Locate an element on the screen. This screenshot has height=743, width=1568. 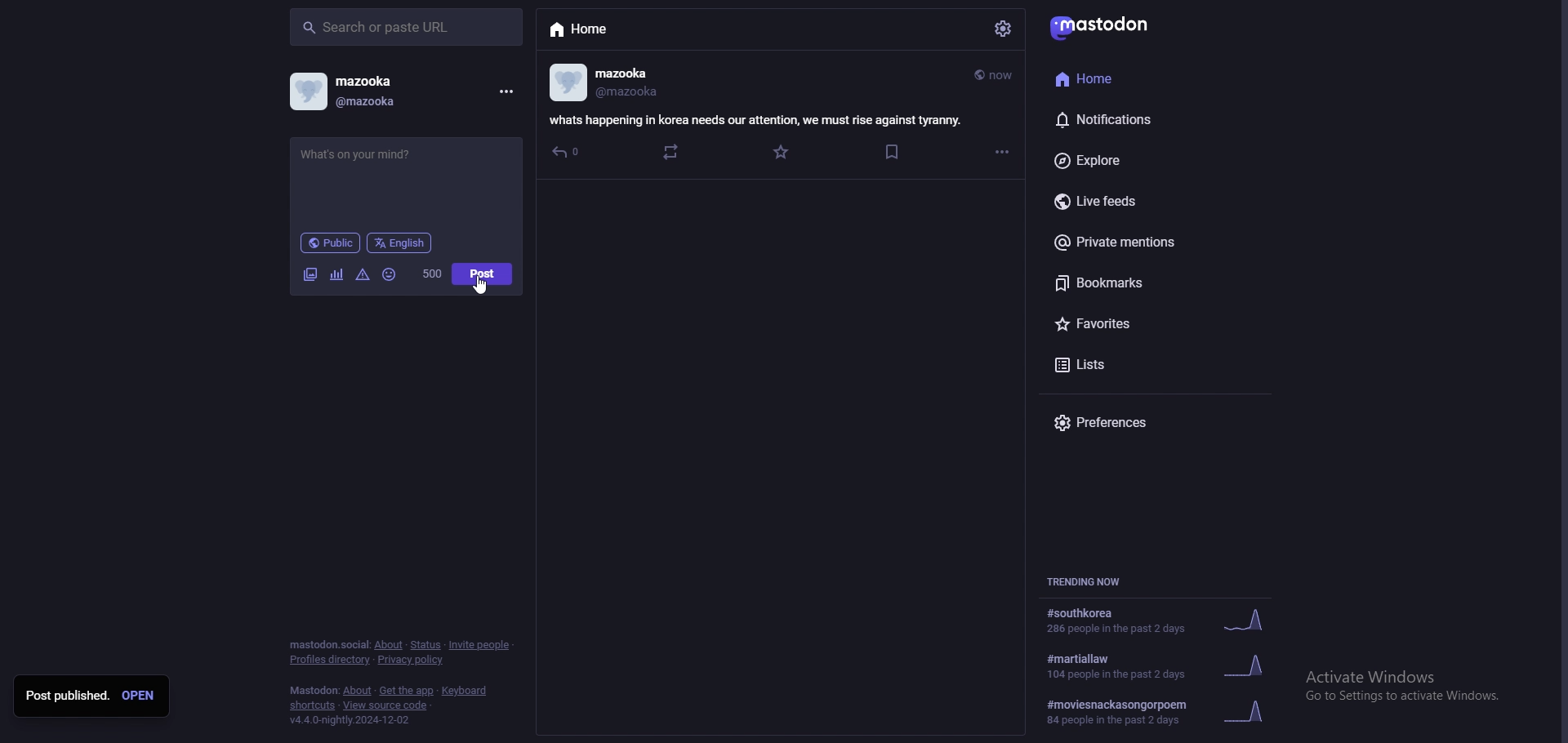
trending is located at coordinates (1161, 665).